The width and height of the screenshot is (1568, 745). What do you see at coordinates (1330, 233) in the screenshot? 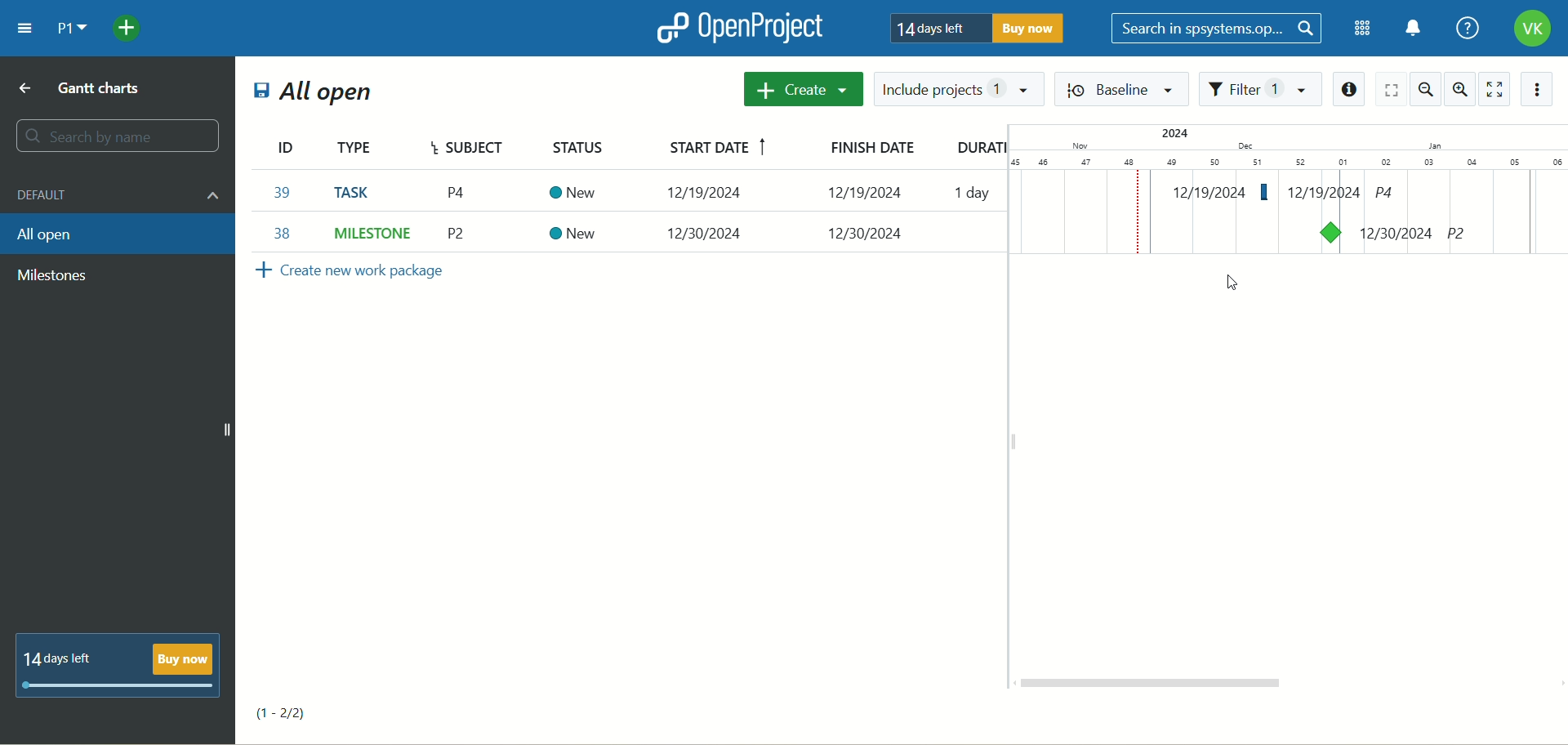
I see `task on Gantt chart` at bounding box center [1330, 233].